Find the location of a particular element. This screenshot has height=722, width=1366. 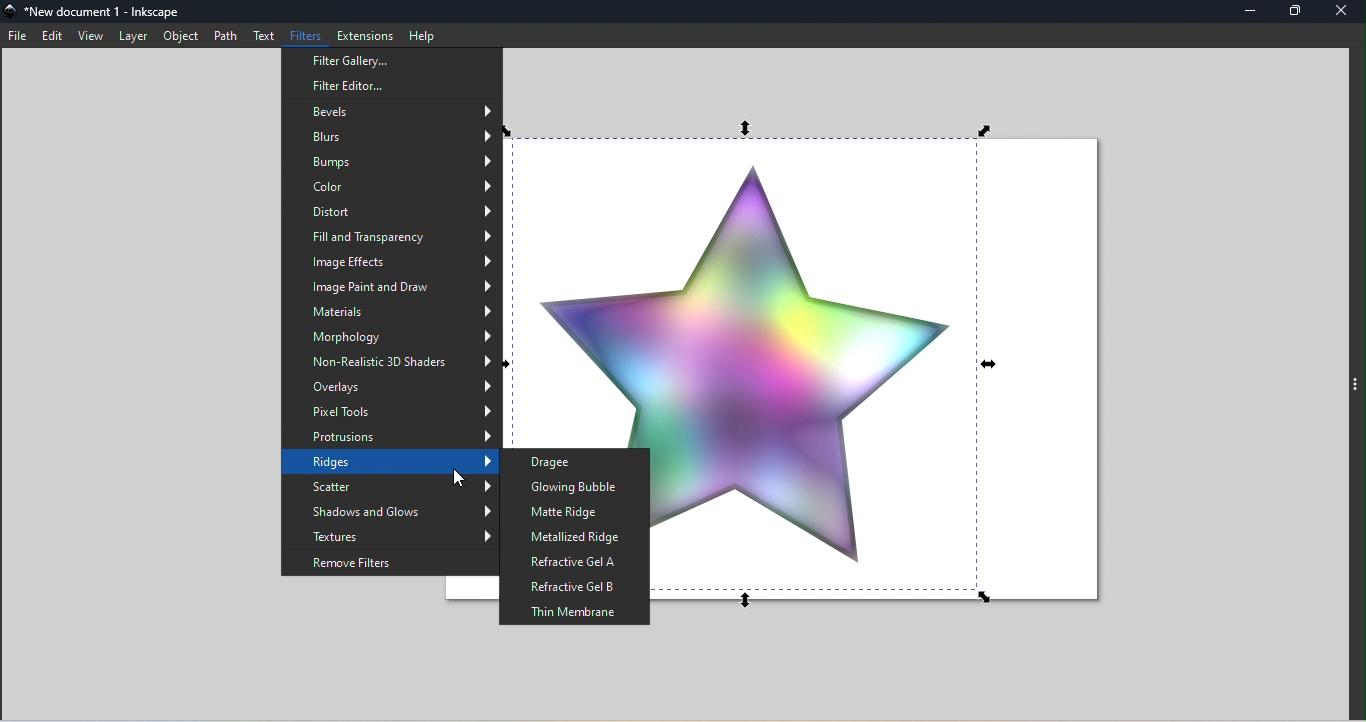

Metallized ridge is located at coordinates (575, 536).